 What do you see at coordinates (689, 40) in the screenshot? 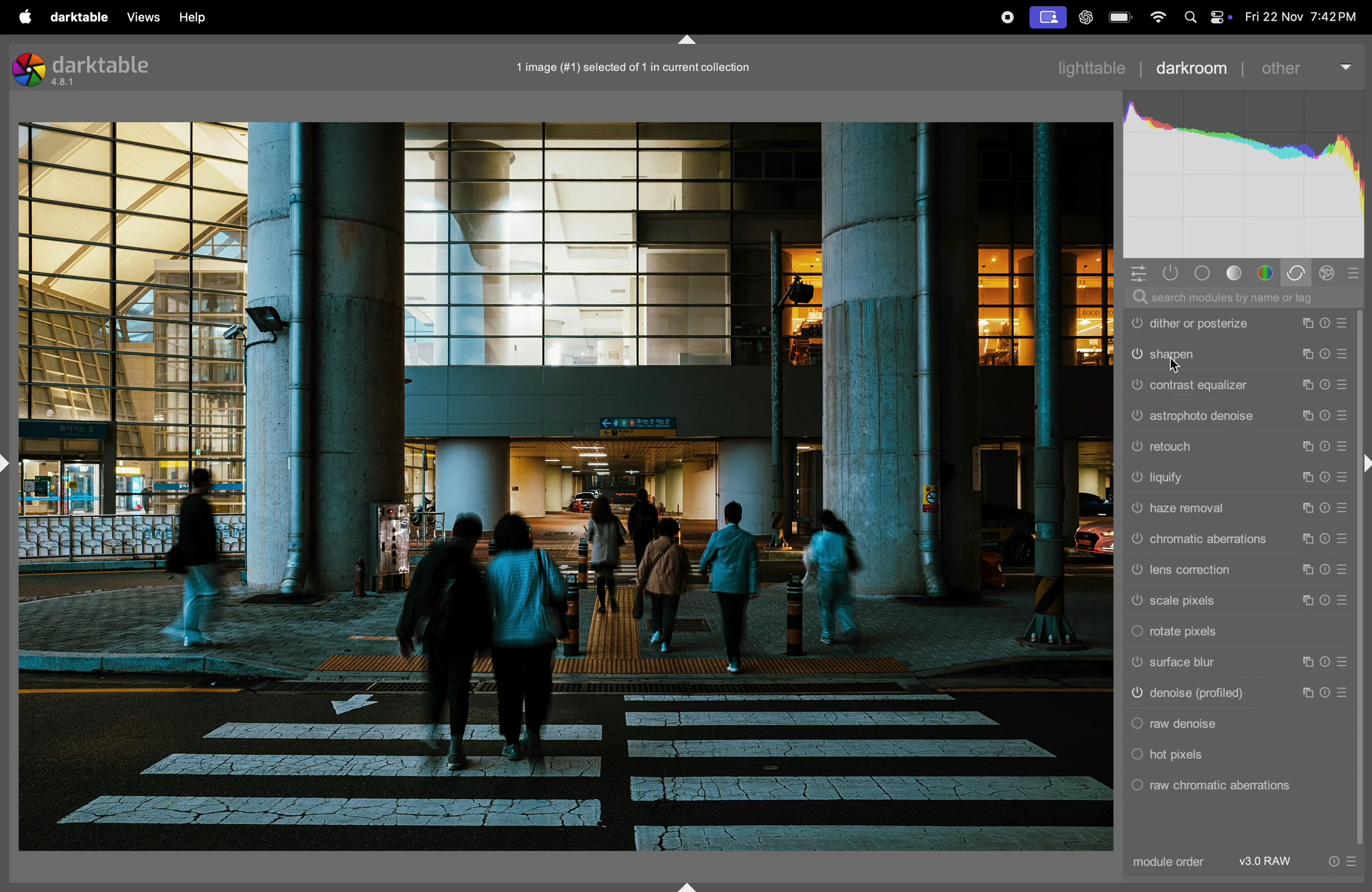
I see `shift+ctrl+t` at bounding box center [689, 40].